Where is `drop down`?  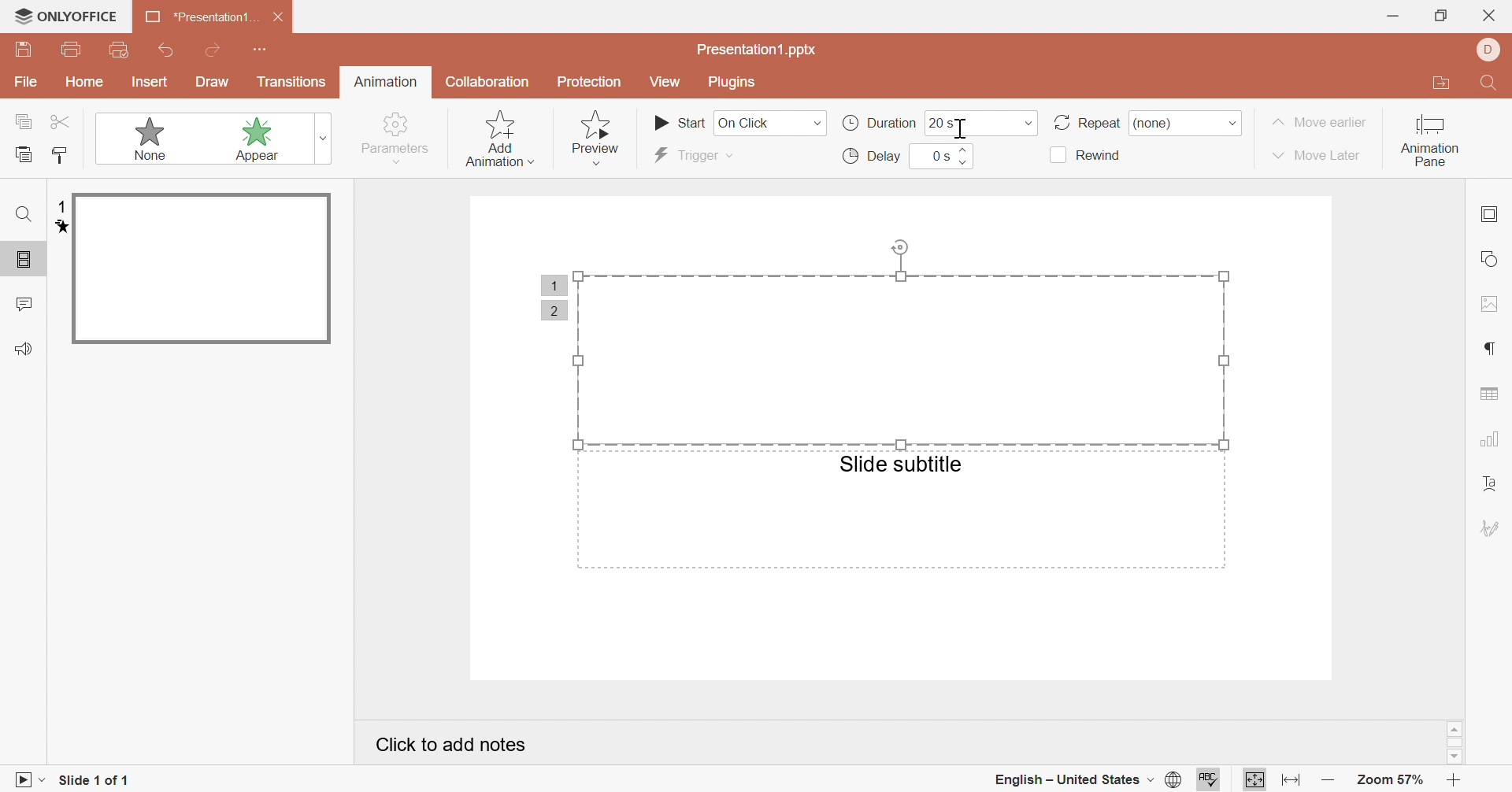 drop down is located at coordinates (1029, 124).